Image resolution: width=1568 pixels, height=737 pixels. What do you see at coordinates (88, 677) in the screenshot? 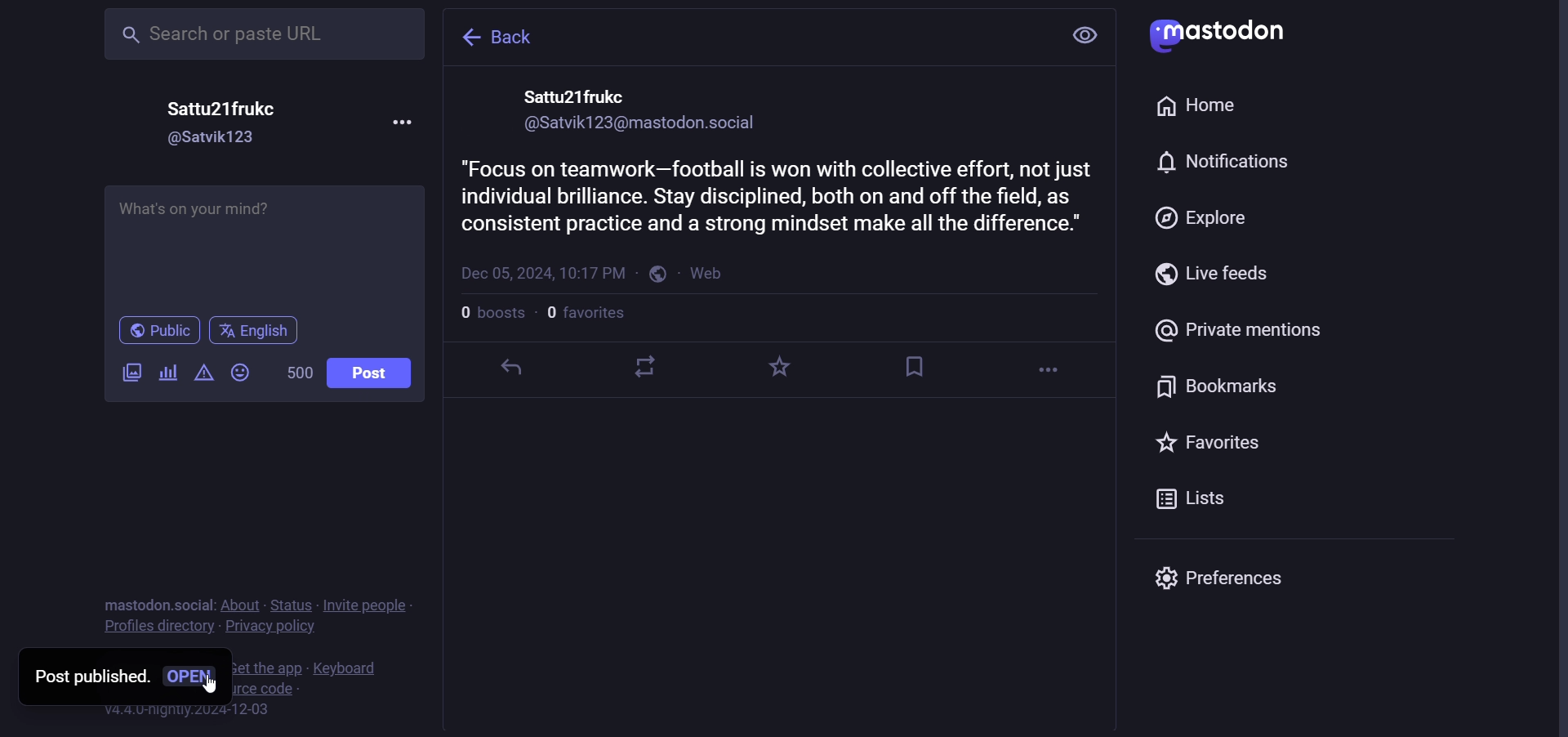
I see `post published` at bounding box center [88, 677].